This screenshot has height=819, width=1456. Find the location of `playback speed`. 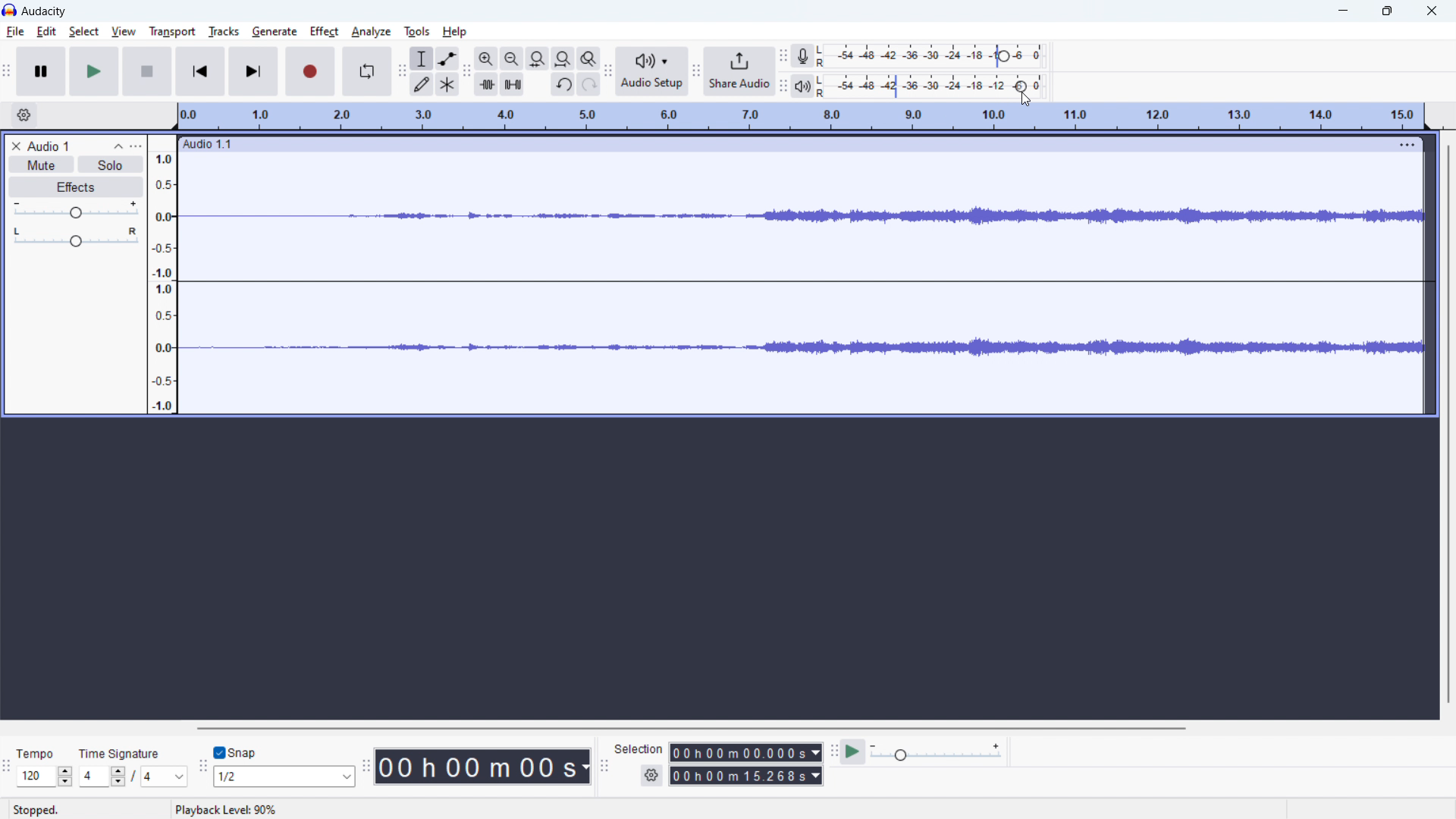

playback speed is located at coordinates (936, 752).